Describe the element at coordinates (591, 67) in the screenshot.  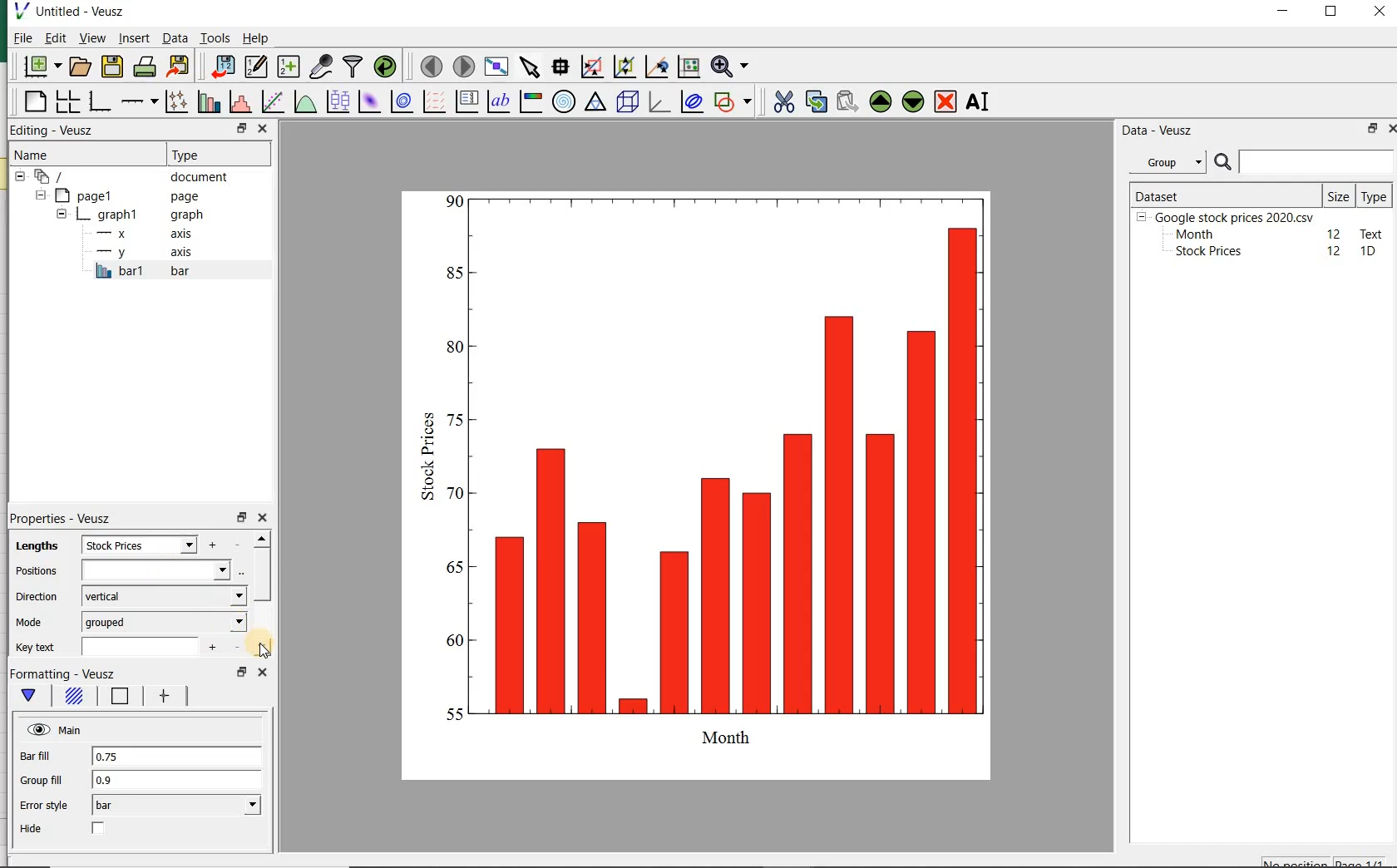
I see `click or draw a rectangle to zoom graph axes` at that location.